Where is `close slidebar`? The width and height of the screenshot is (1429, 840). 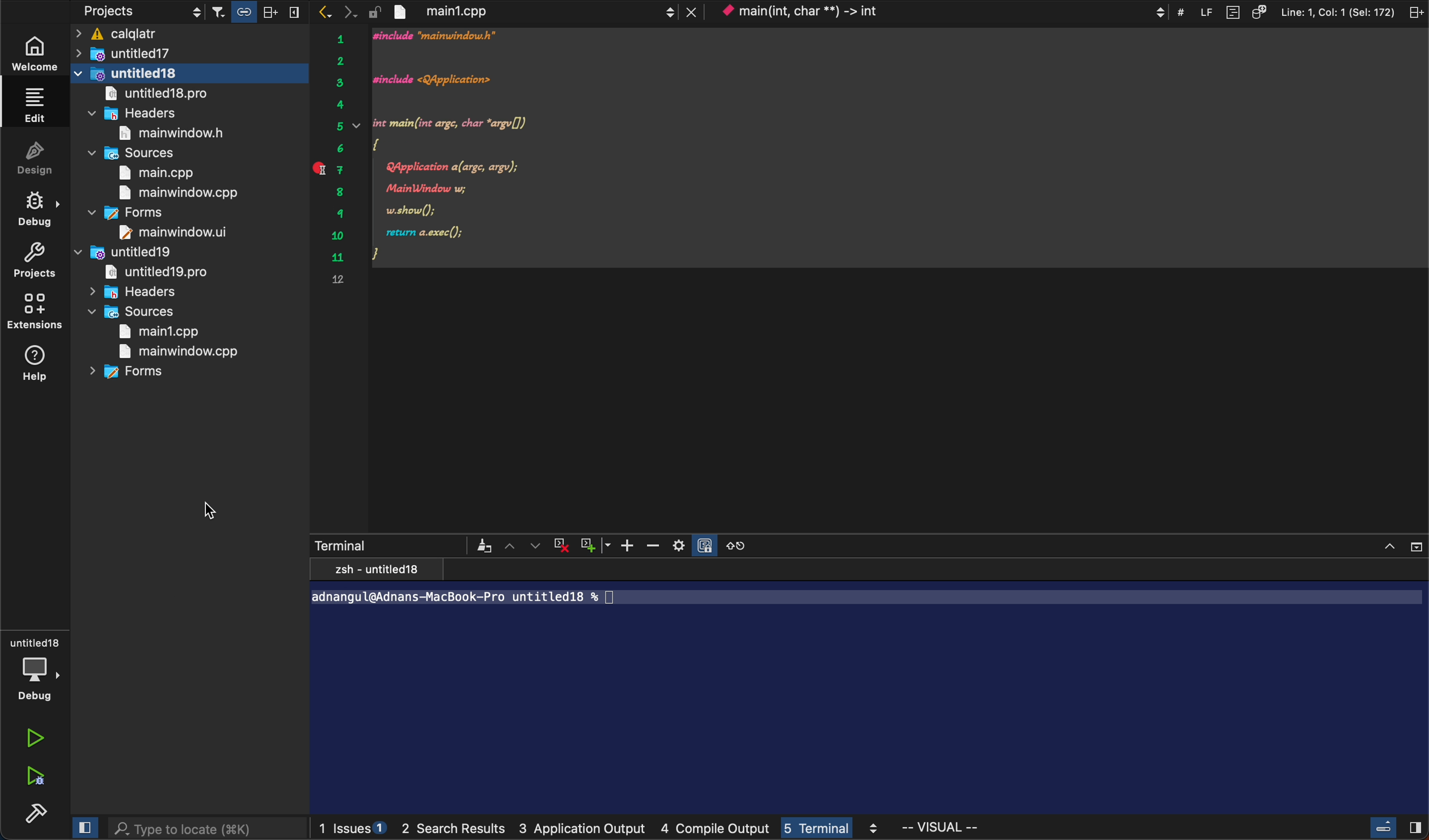
close slidebar is located at coordinates (1394, 829).